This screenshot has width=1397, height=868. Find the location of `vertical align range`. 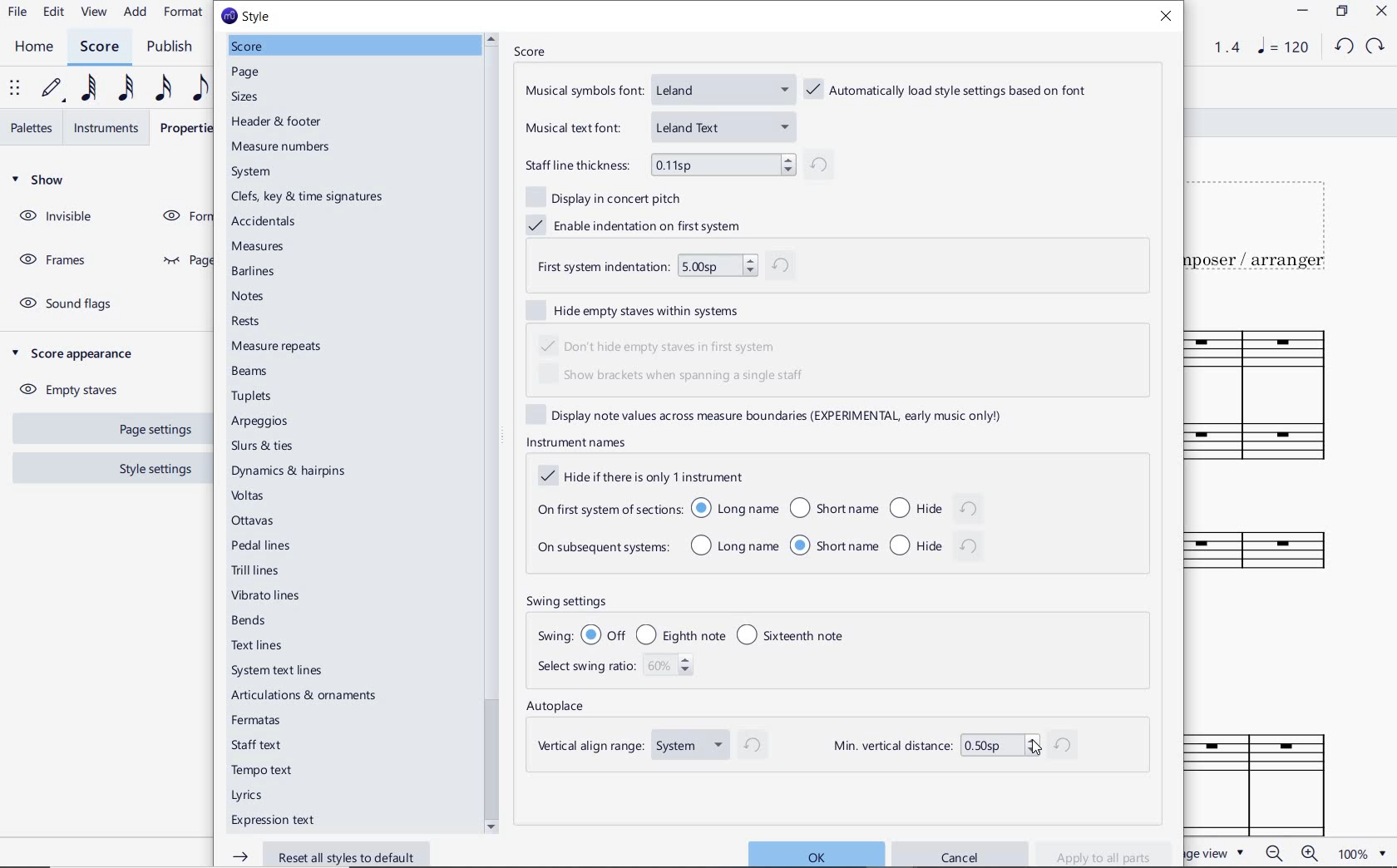

vertical align range is located at coordinates (646, 747).